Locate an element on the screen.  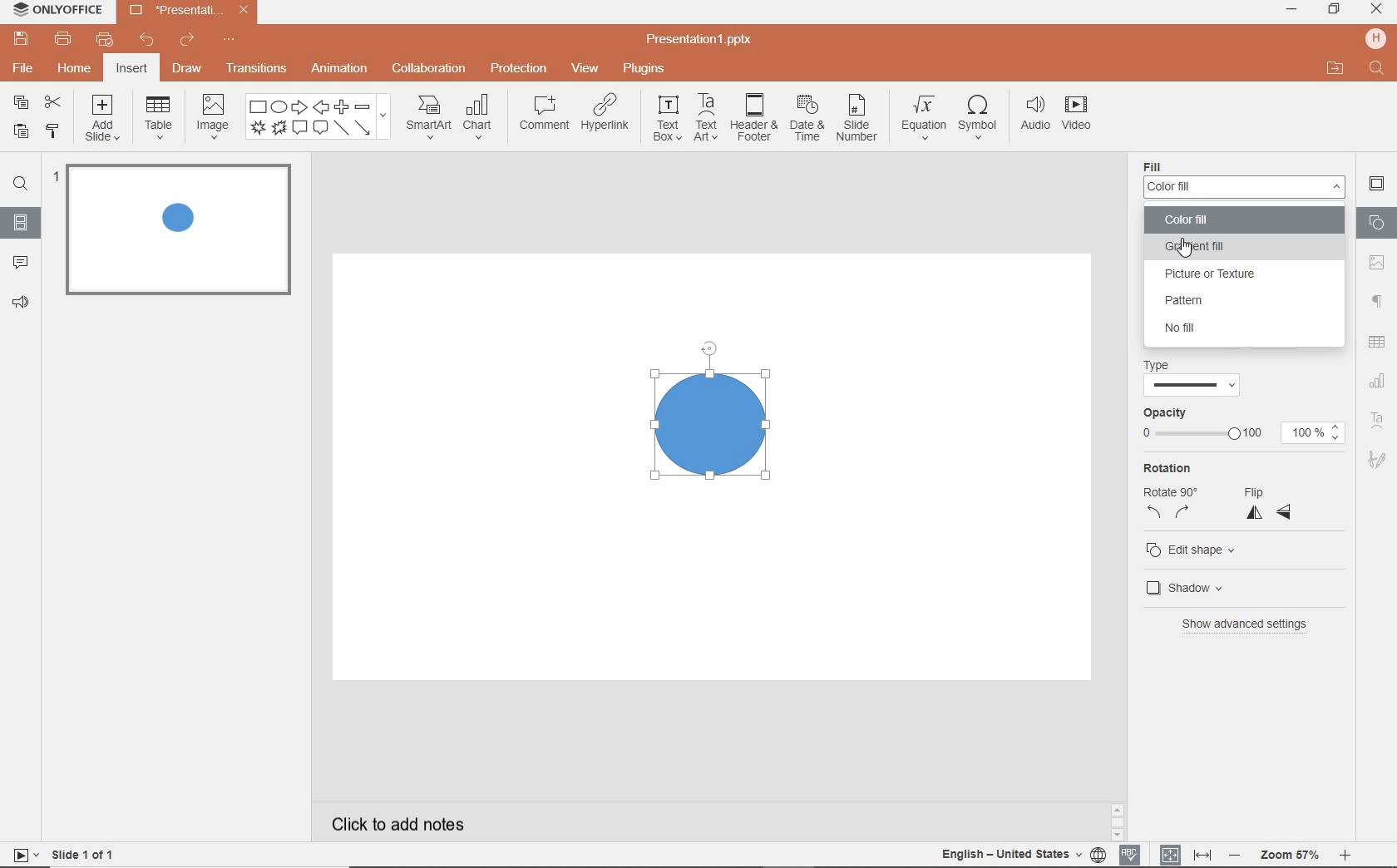
comment is located at coordinates (17, 263).